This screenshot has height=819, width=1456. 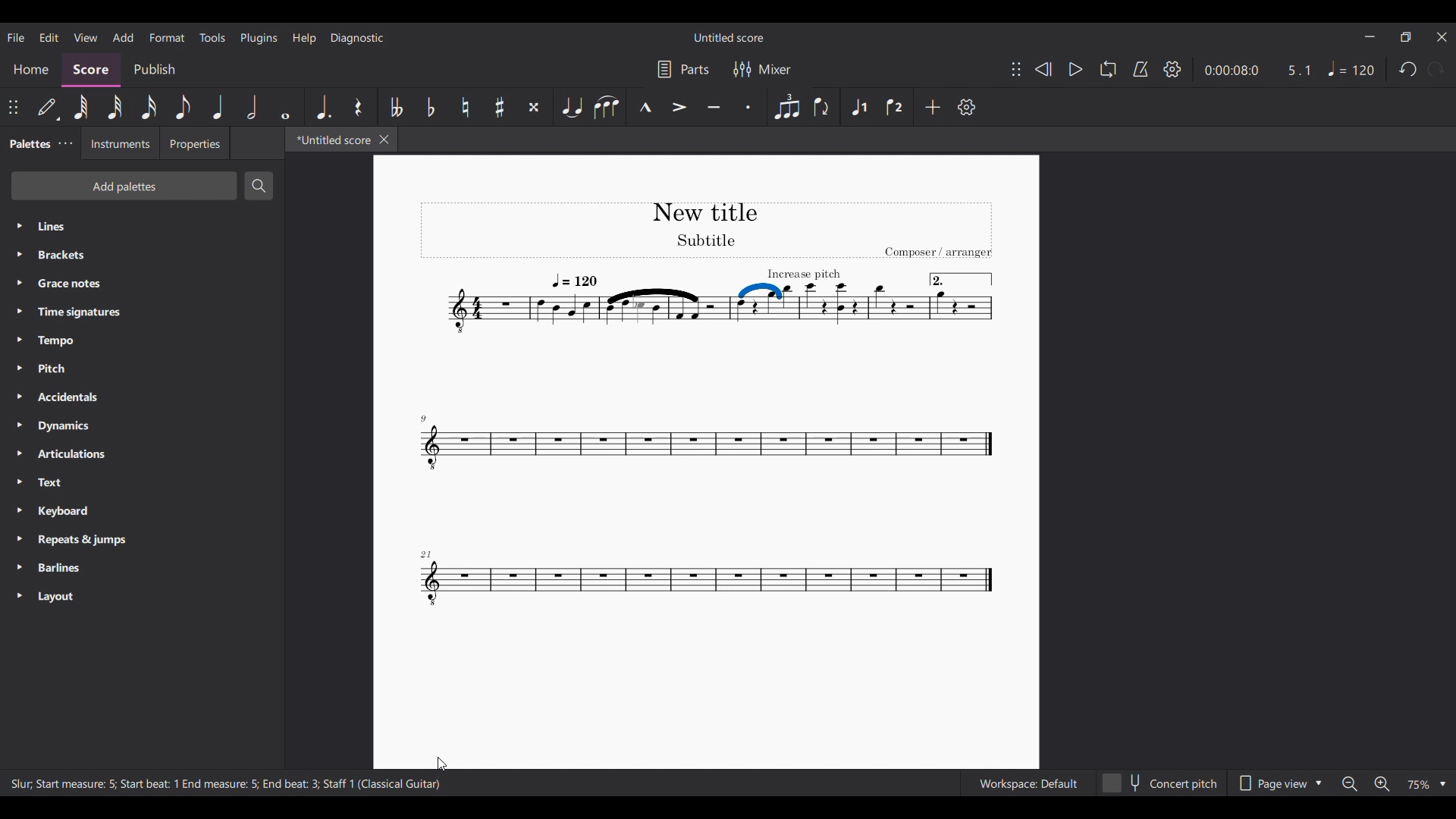 I want to click on Format menu, so click(x=167, y=37).